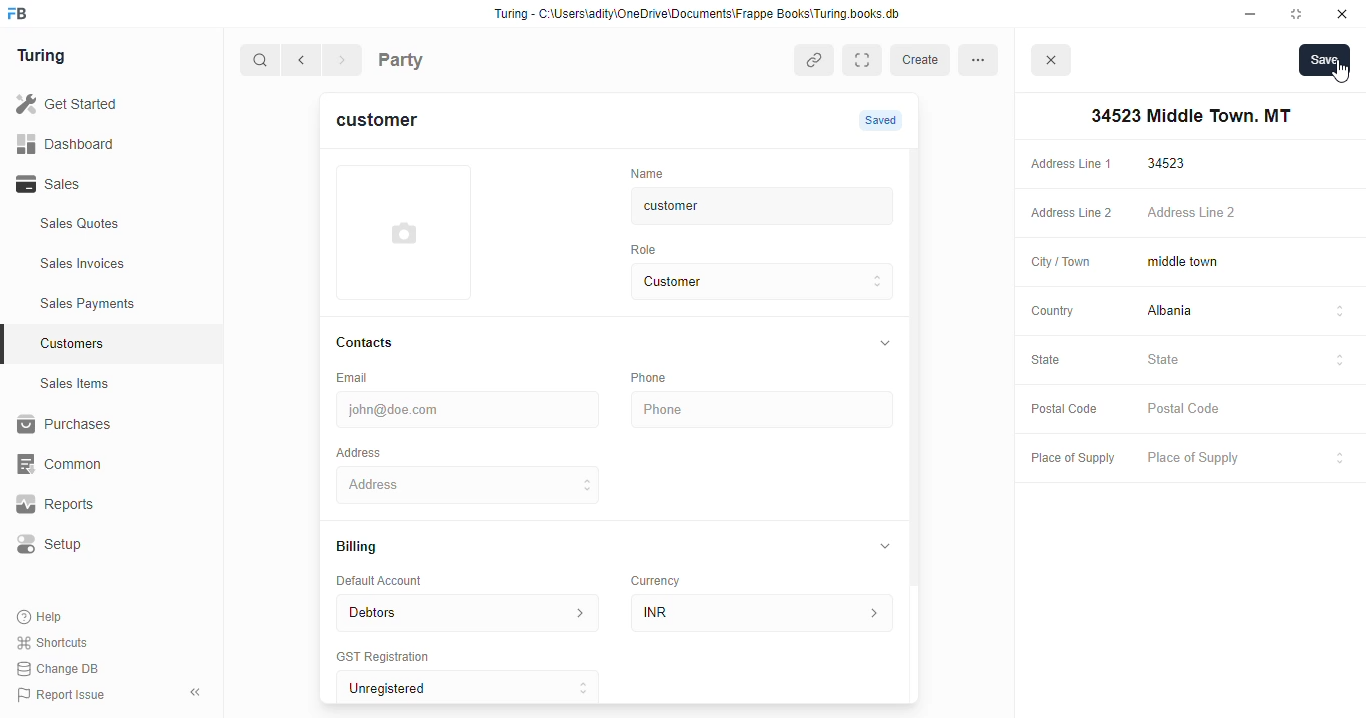 The height and width of the screenshot is (718, 1366). I want to click on Setup, so click(101, 544).